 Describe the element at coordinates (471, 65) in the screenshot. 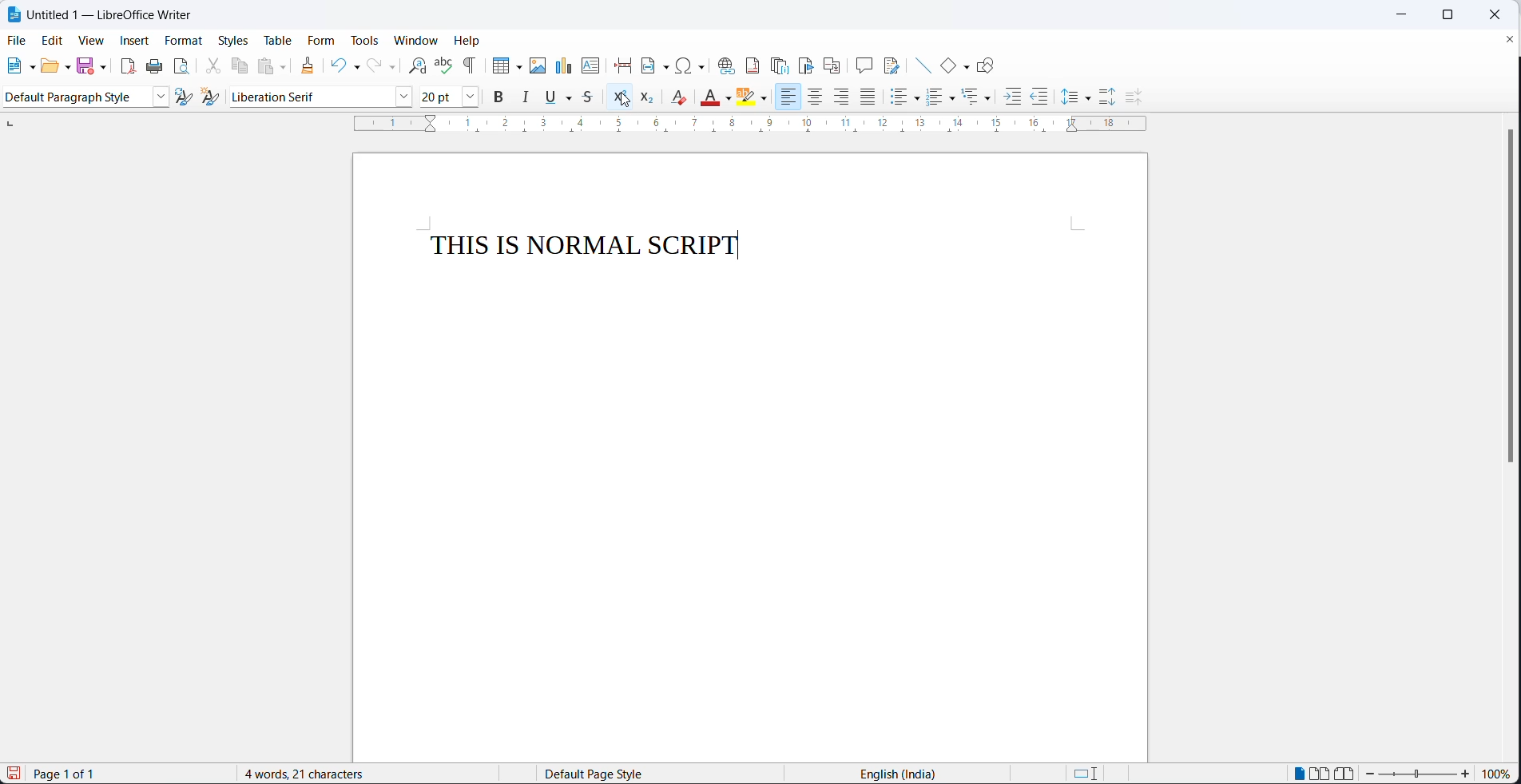

I see `toggle formatting marks` at that location.